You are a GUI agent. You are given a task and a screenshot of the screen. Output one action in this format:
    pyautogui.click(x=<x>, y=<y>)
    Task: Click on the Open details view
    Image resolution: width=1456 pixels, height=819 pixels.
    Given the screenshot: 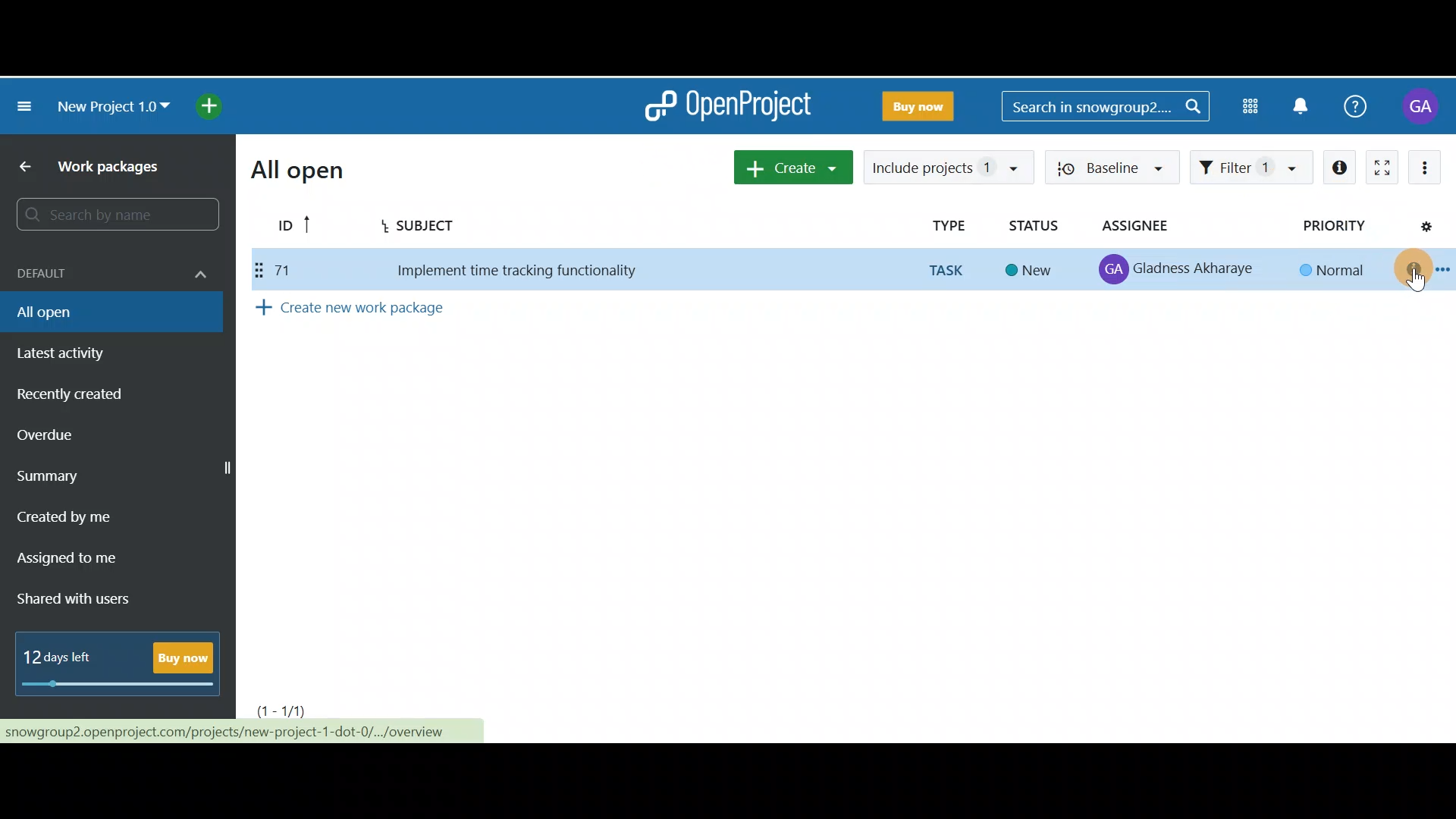 What is the action you would take?
    pyautogui.click(x=1337, y=165)
    